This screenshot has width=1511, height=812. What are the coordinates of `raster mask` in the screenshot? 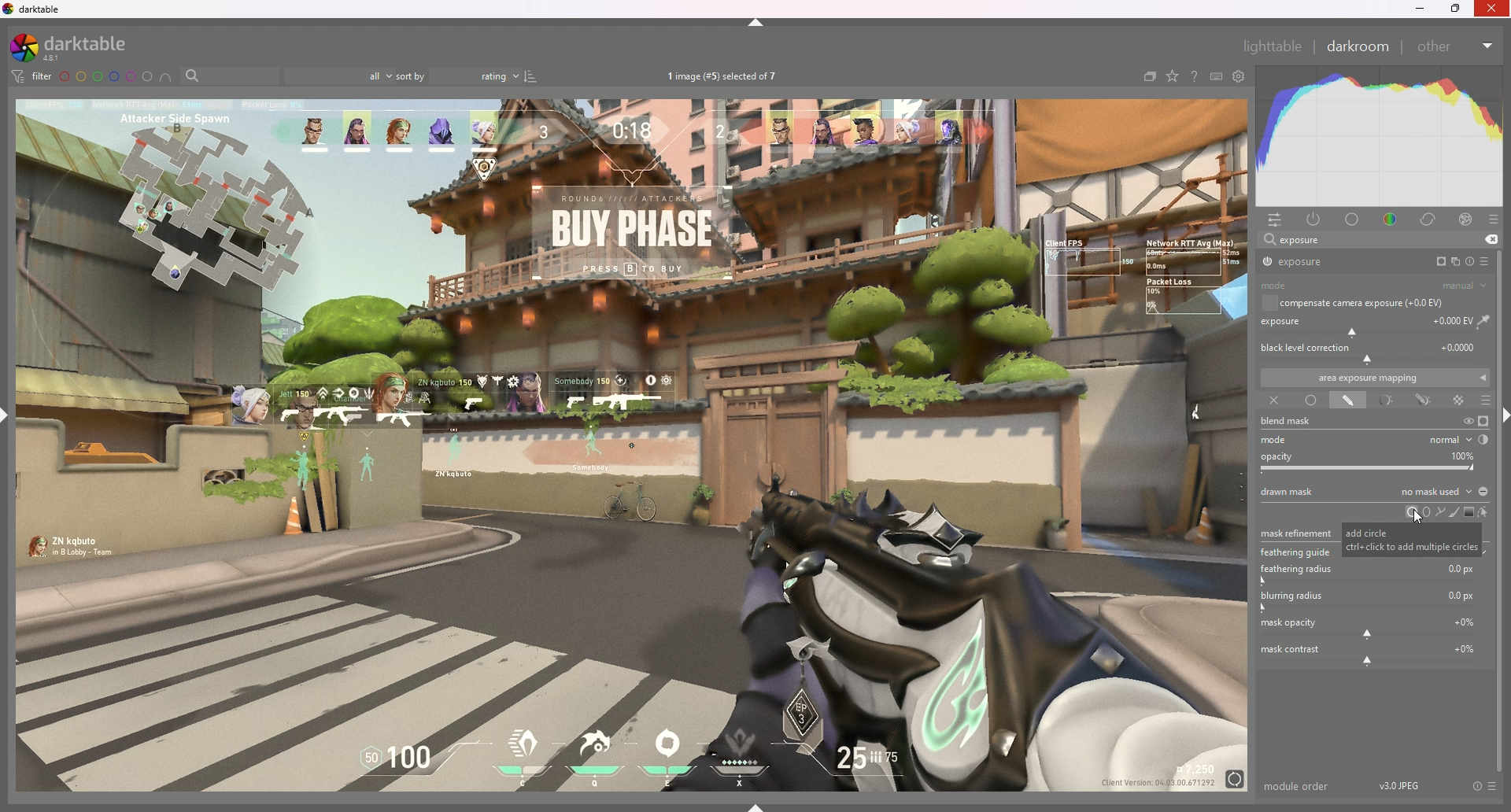 It's located at (1459, 400).